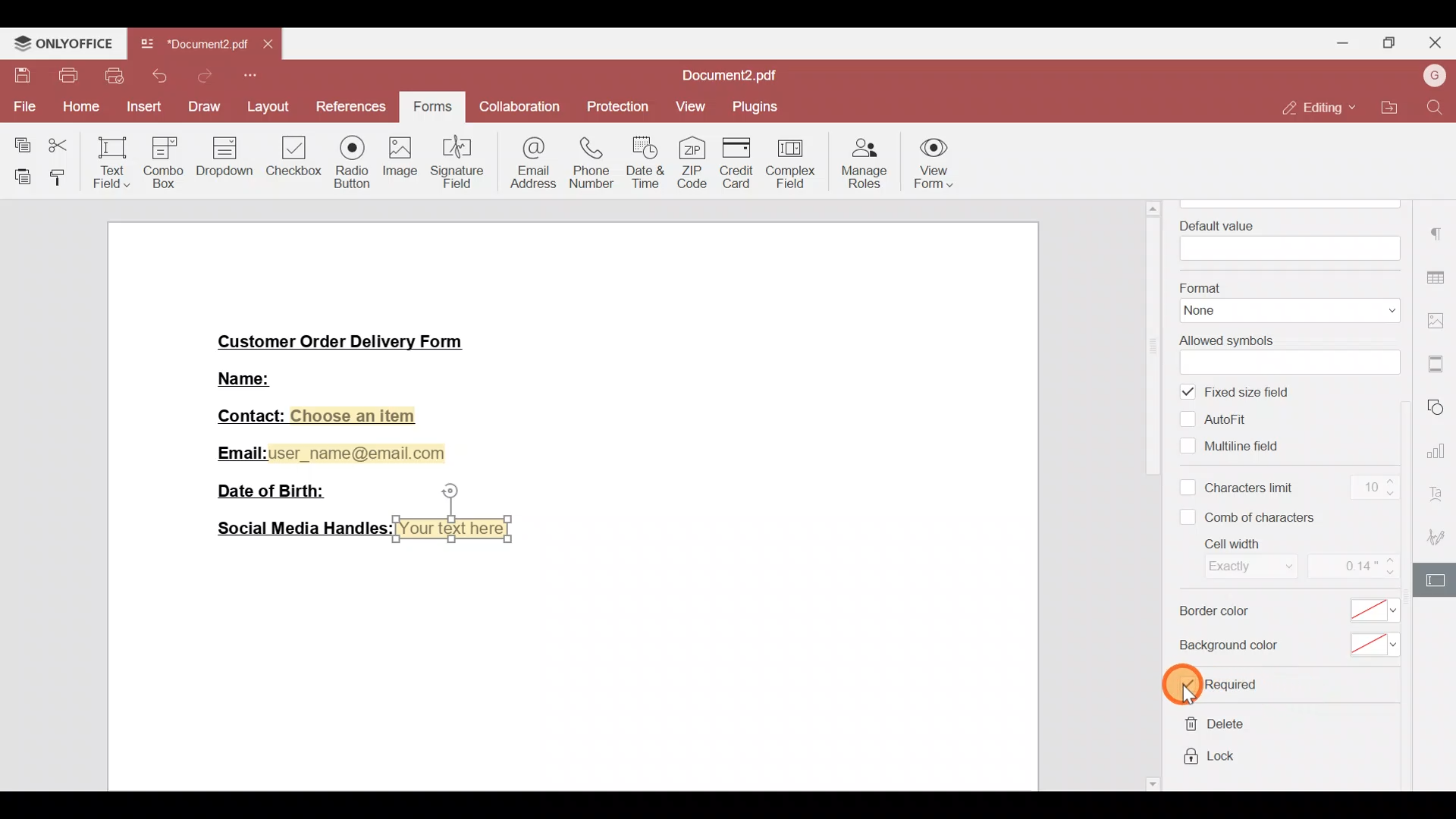 The image size is (1456, 819). Describe the element at coordinates (1285, 614) in the screenshot. I see `Border color` at that location.